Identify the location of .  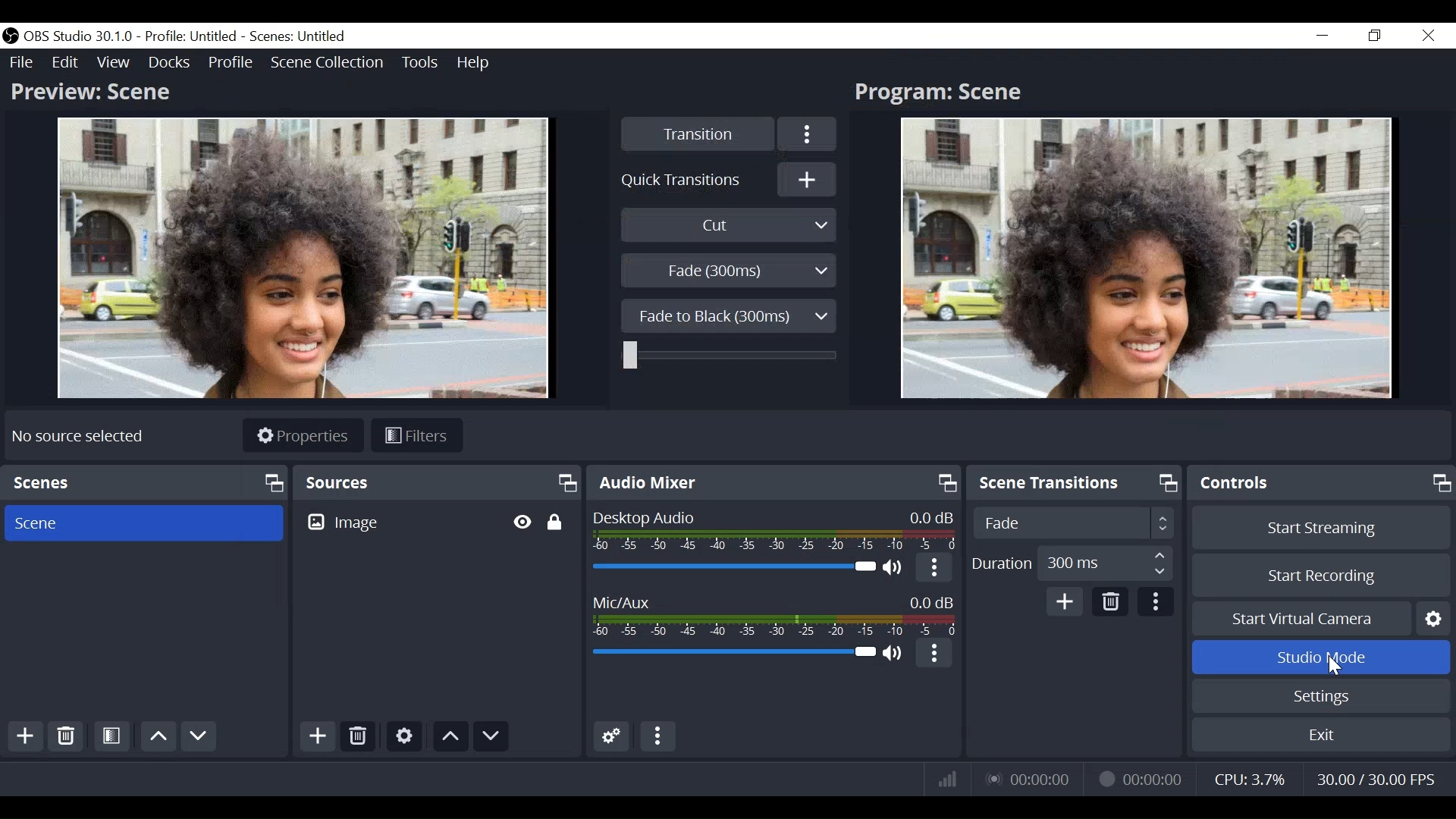
(1432, 619).